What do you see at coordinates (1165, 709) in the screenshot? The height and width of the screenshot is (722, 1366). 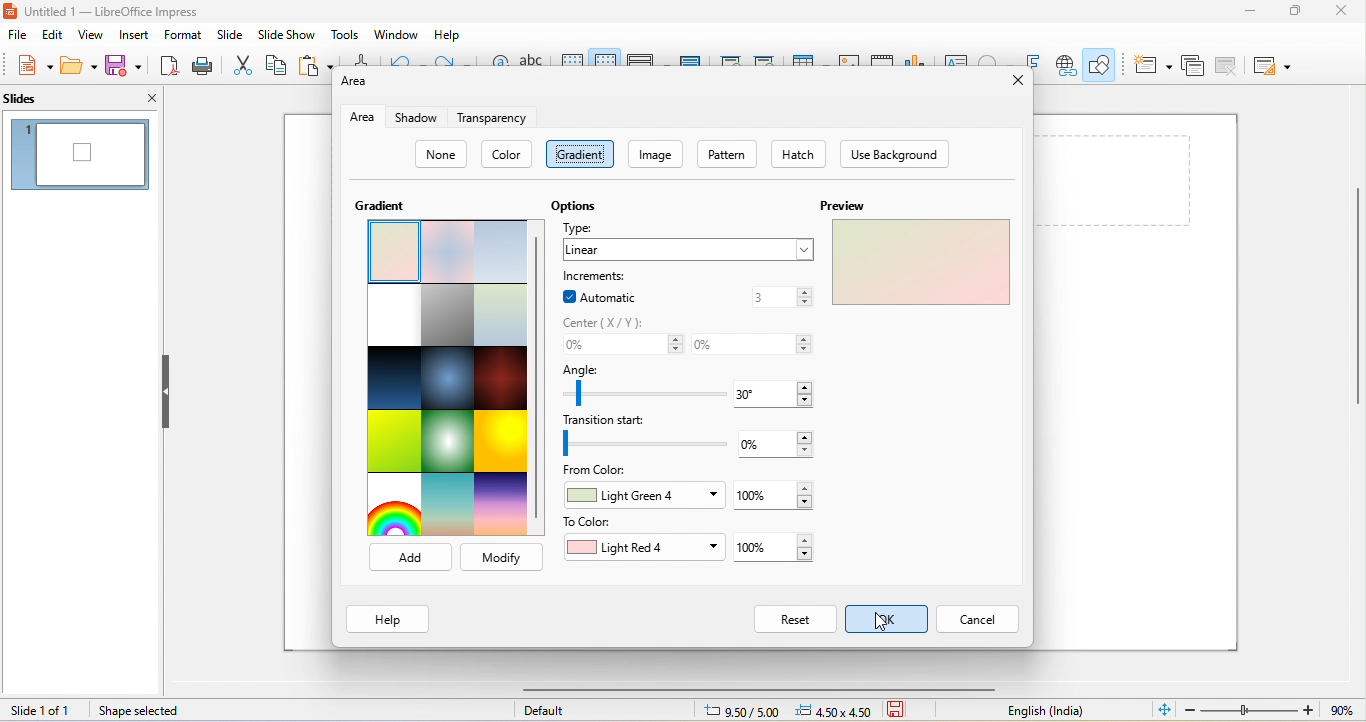 I see `fit to current window` at bounding box center [1165, 709].